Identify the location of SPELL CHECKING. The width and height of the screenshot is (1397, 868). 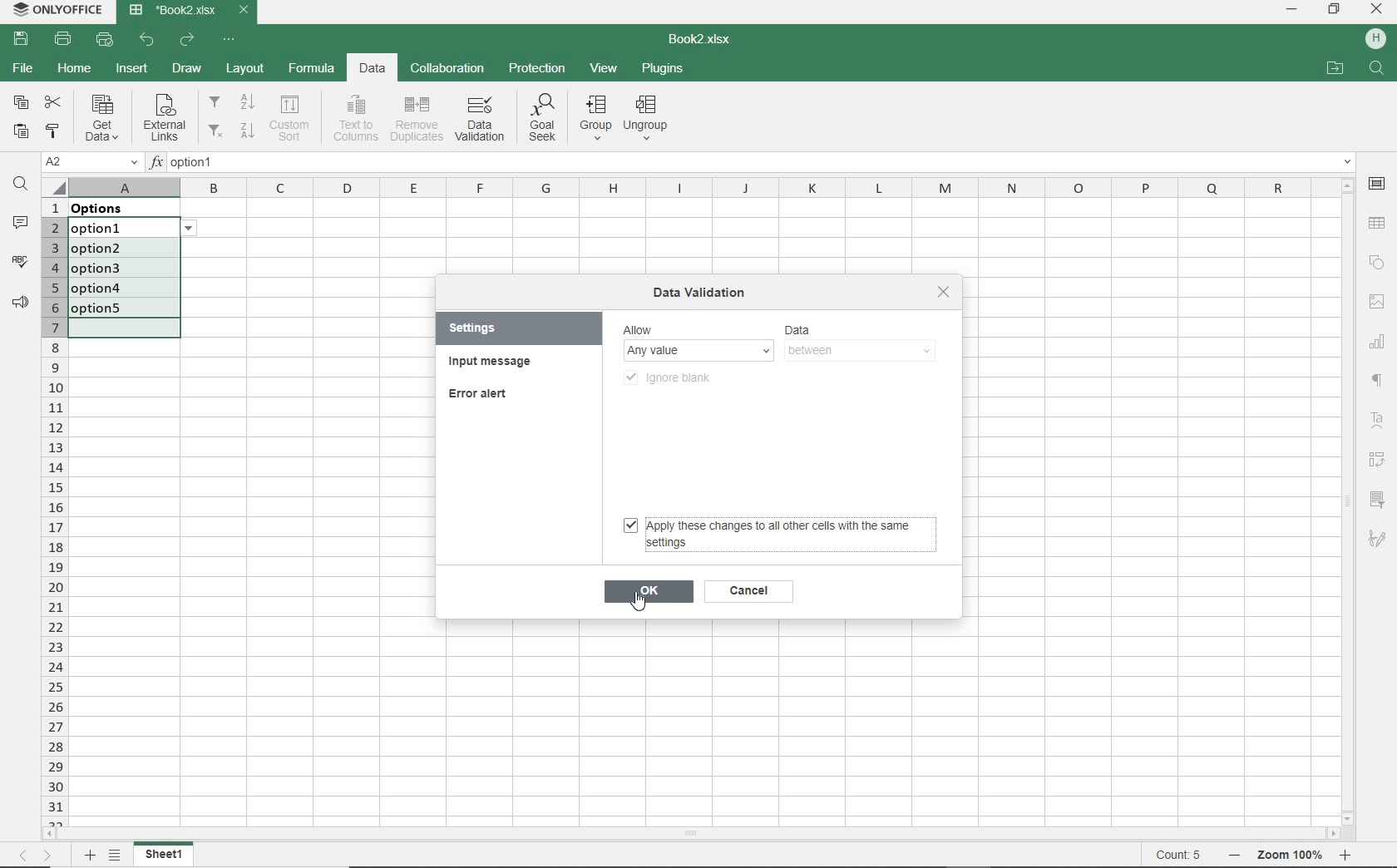
(17, 259).